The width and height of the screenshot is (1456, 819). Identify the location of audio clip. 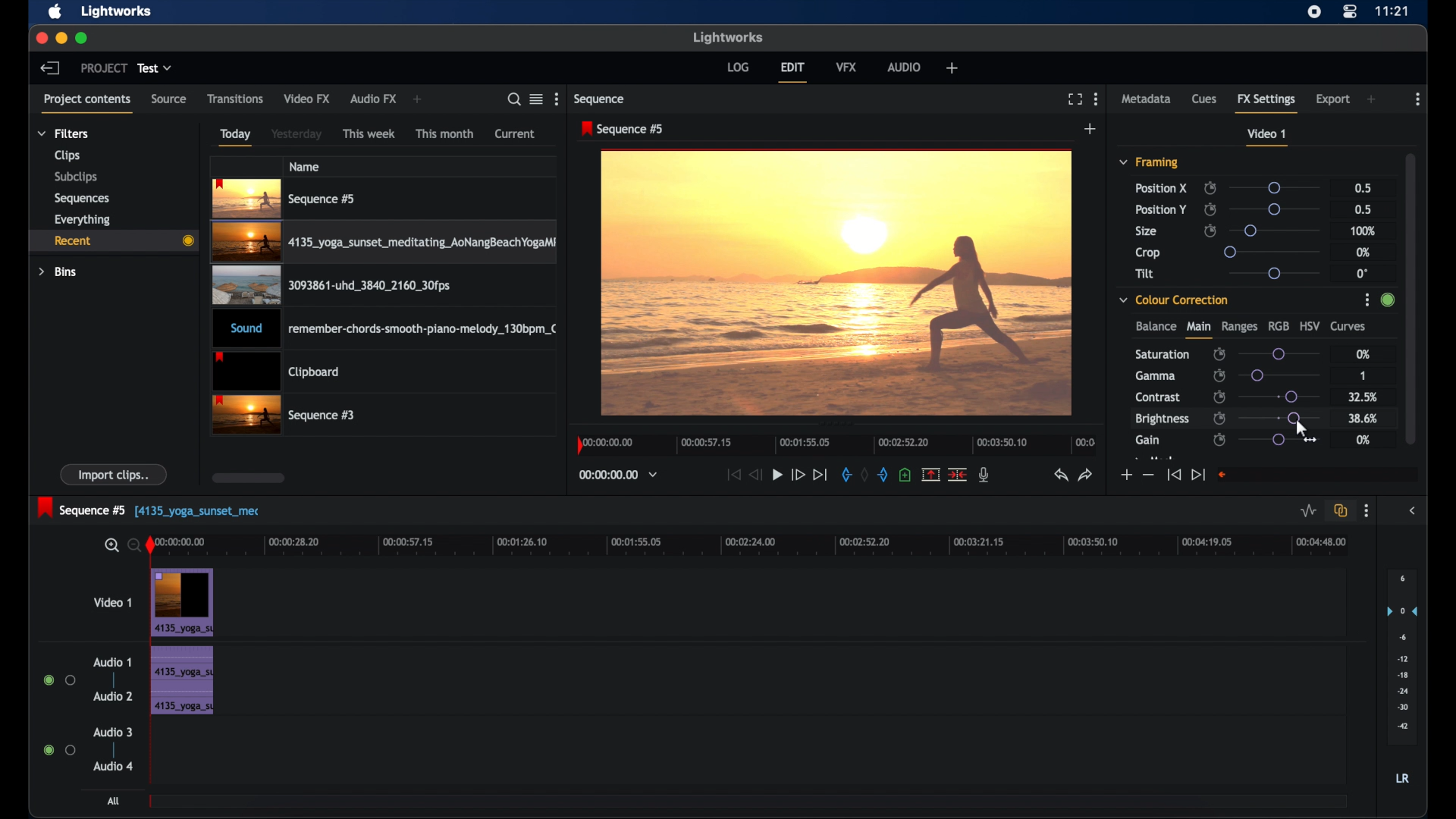
(181, 682).